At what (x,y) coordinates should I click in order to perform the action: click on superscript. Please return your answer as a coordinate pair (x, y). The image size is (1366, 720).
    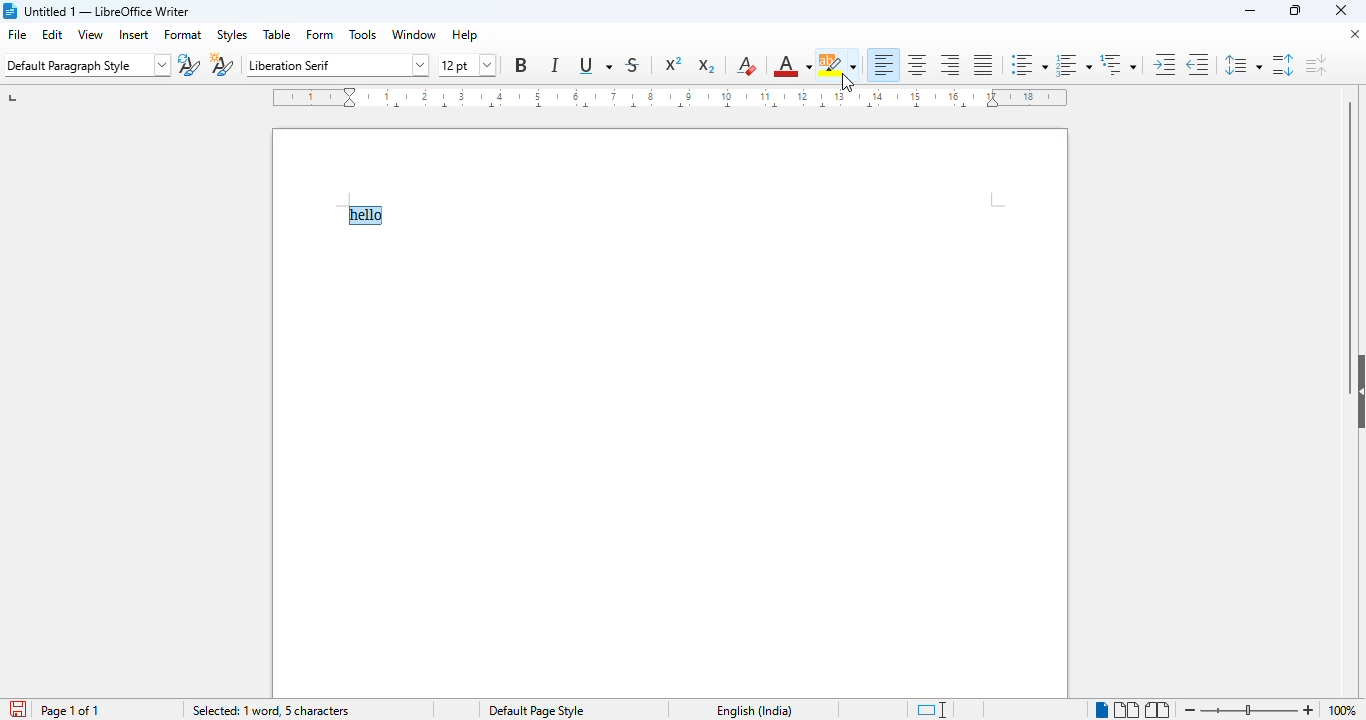
    Looking at the image, I should click on (674, 64).